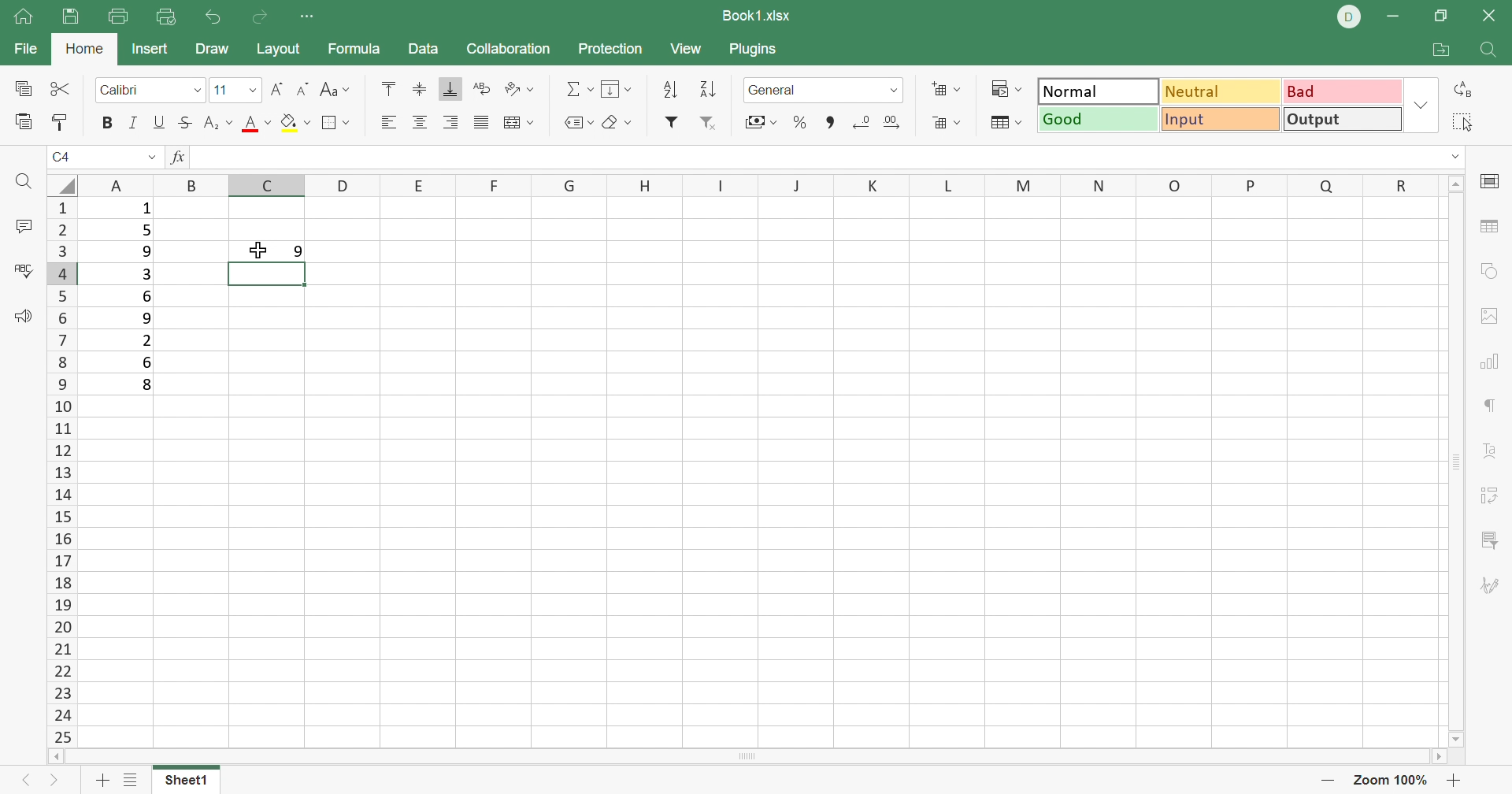  What do you see at coordinates (1486, 541) in the screenshot?
I see `Slicer settings` at bounding box center [1486, 541].